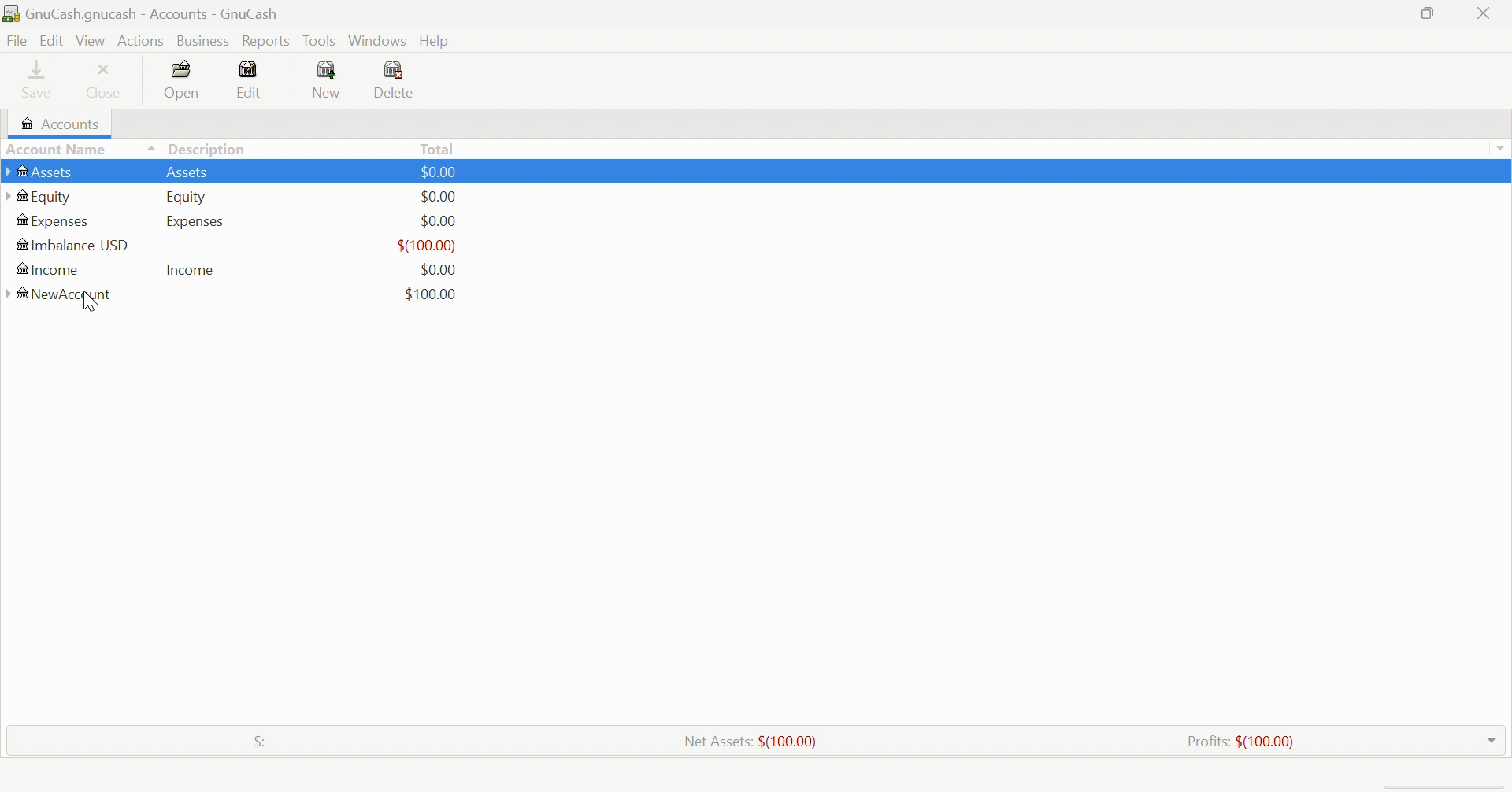 Image resolution: width=1512 pixels, height=792 pixels. I want to click on Equity, so click(40, 196).